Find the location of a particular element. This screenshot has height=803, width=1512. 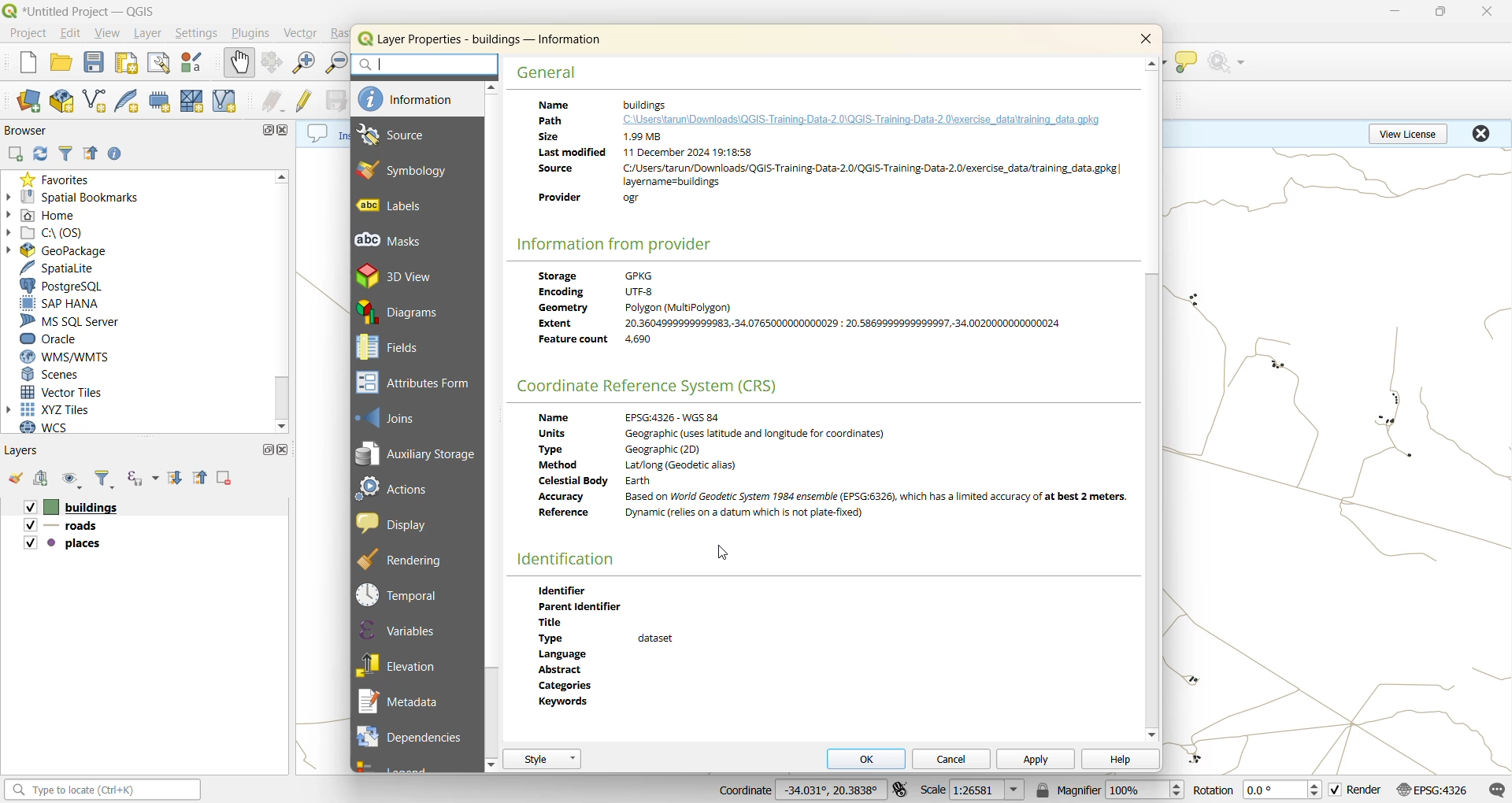

maximize is located at coordinates (1440, 13).